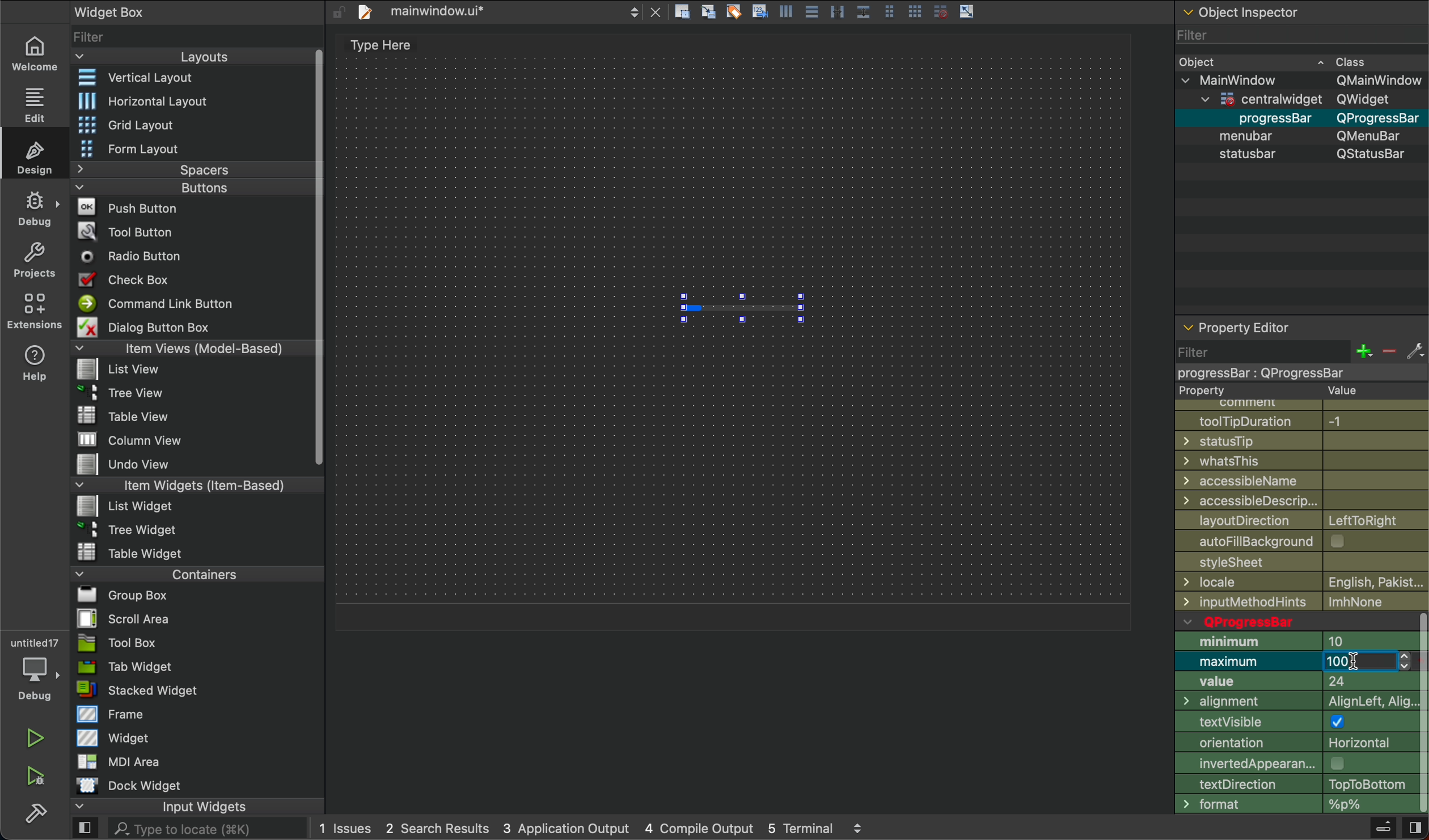 The image size is (1429, 840). What do you see at coordinates (33, 52) in the screenshot?
I see `welcome` at bounding box center [33, 52].